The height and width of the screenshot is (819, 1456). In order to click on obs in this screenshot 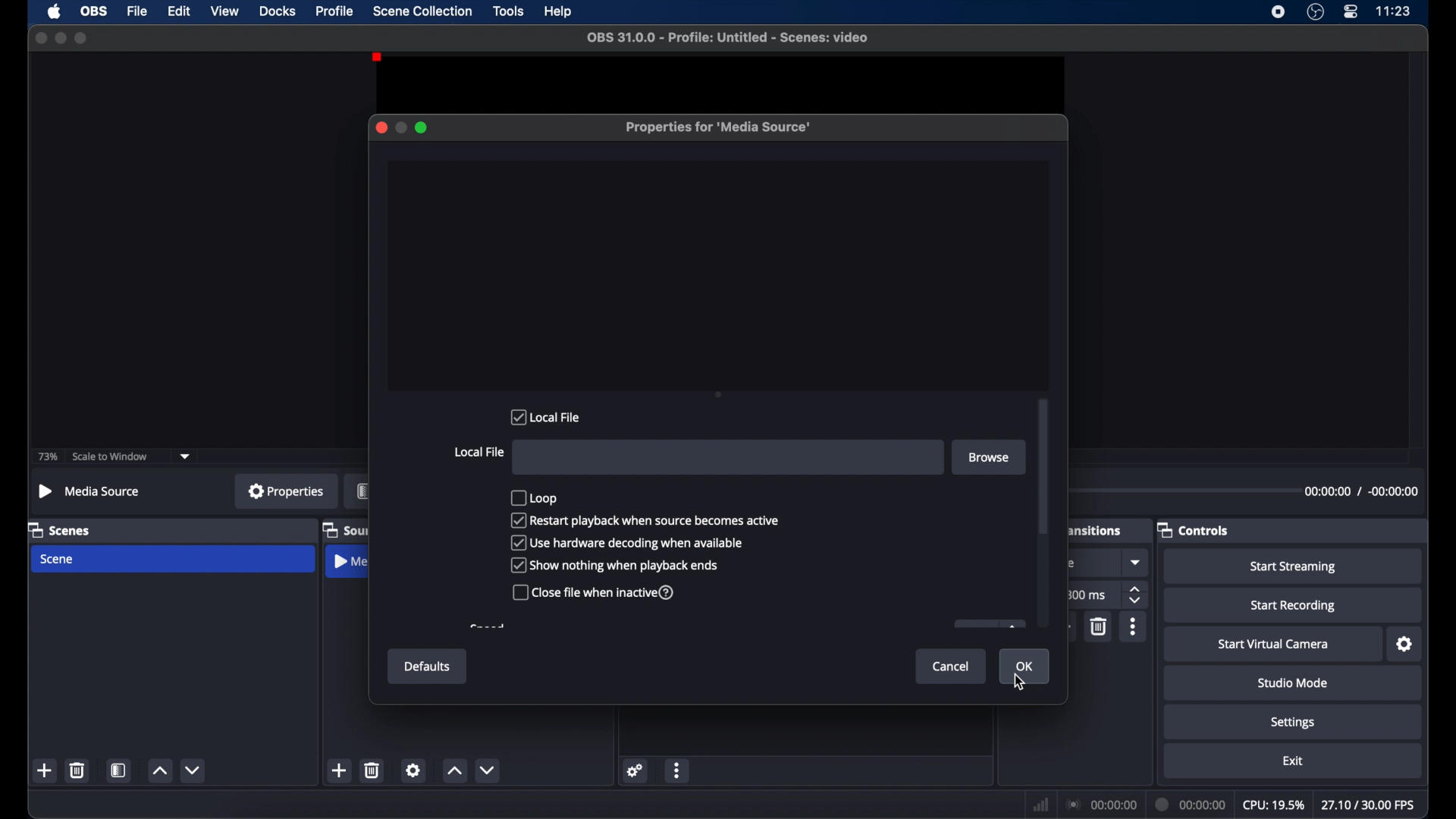, I will do `click(96, 11)`.